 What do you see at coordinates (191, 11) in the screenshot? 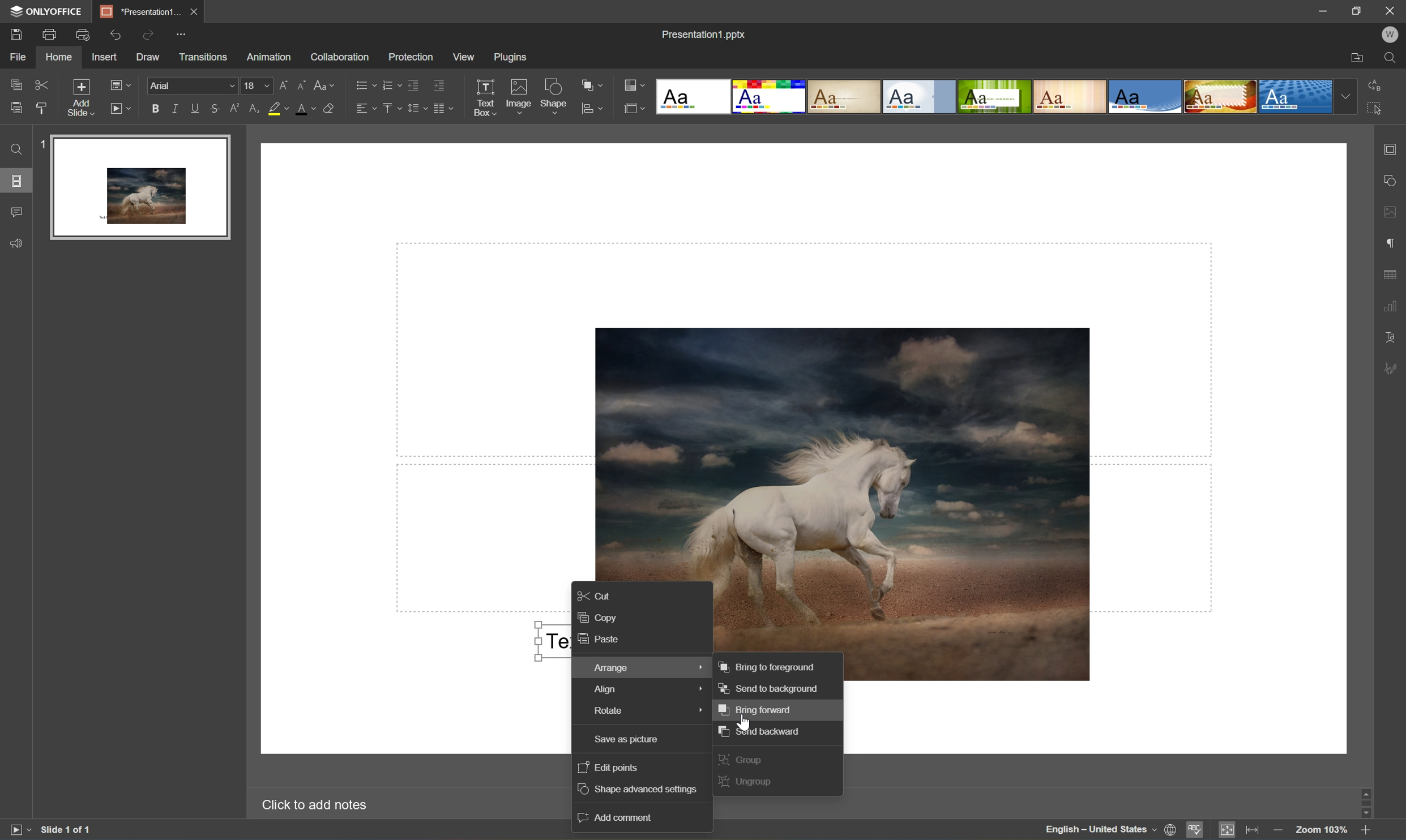
I see `Save` at bounding box center [191, 11].